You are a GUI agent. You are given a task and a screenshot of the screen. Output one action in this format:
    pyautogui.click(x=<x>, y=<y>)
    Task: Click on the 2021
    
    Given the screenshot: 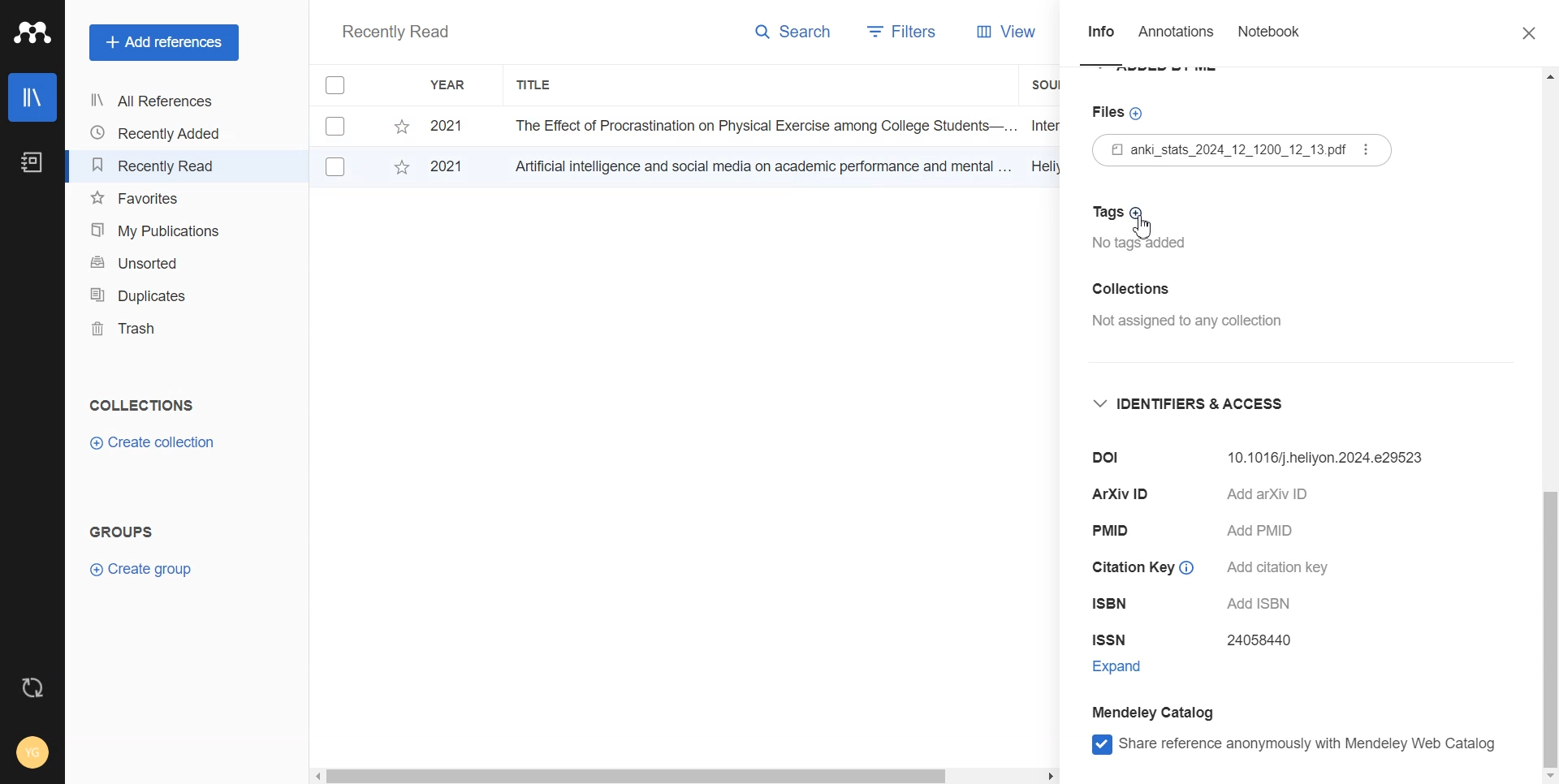 What is the action you would take?
    pyautogui.click(x=455, y=169)
    